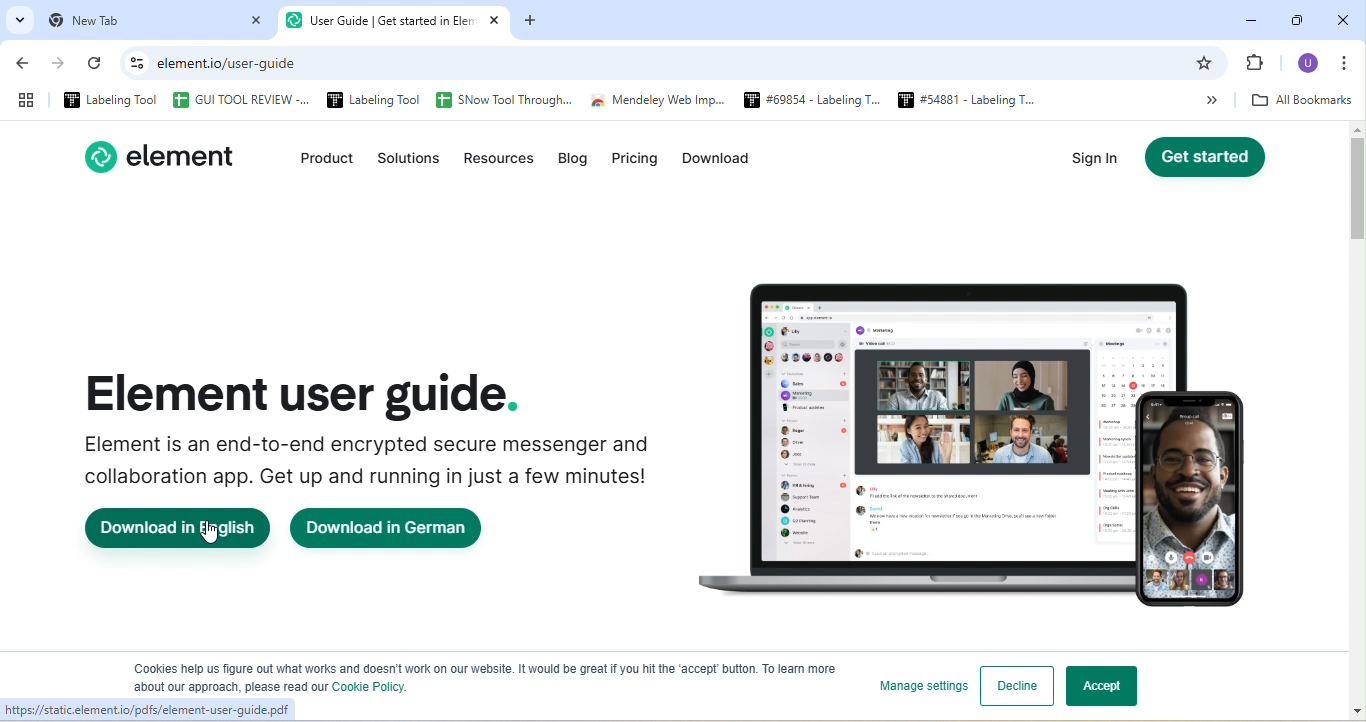  What do you see at coordinates (1202, 100) in the screenshot?
I see `More ` at bounding box center [1202, 100].